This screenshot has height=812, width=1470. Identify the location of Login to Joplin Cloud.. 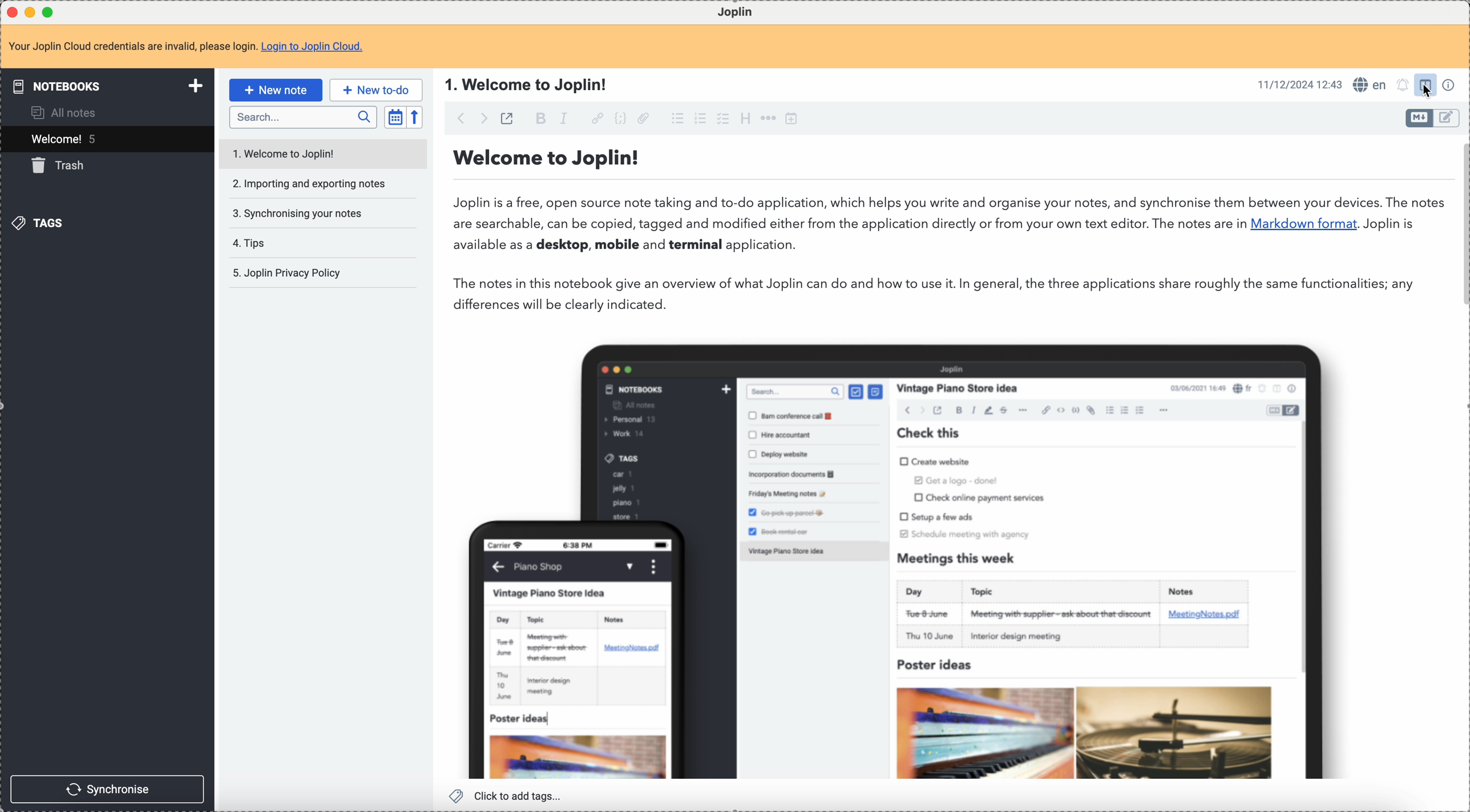
(314, 47).